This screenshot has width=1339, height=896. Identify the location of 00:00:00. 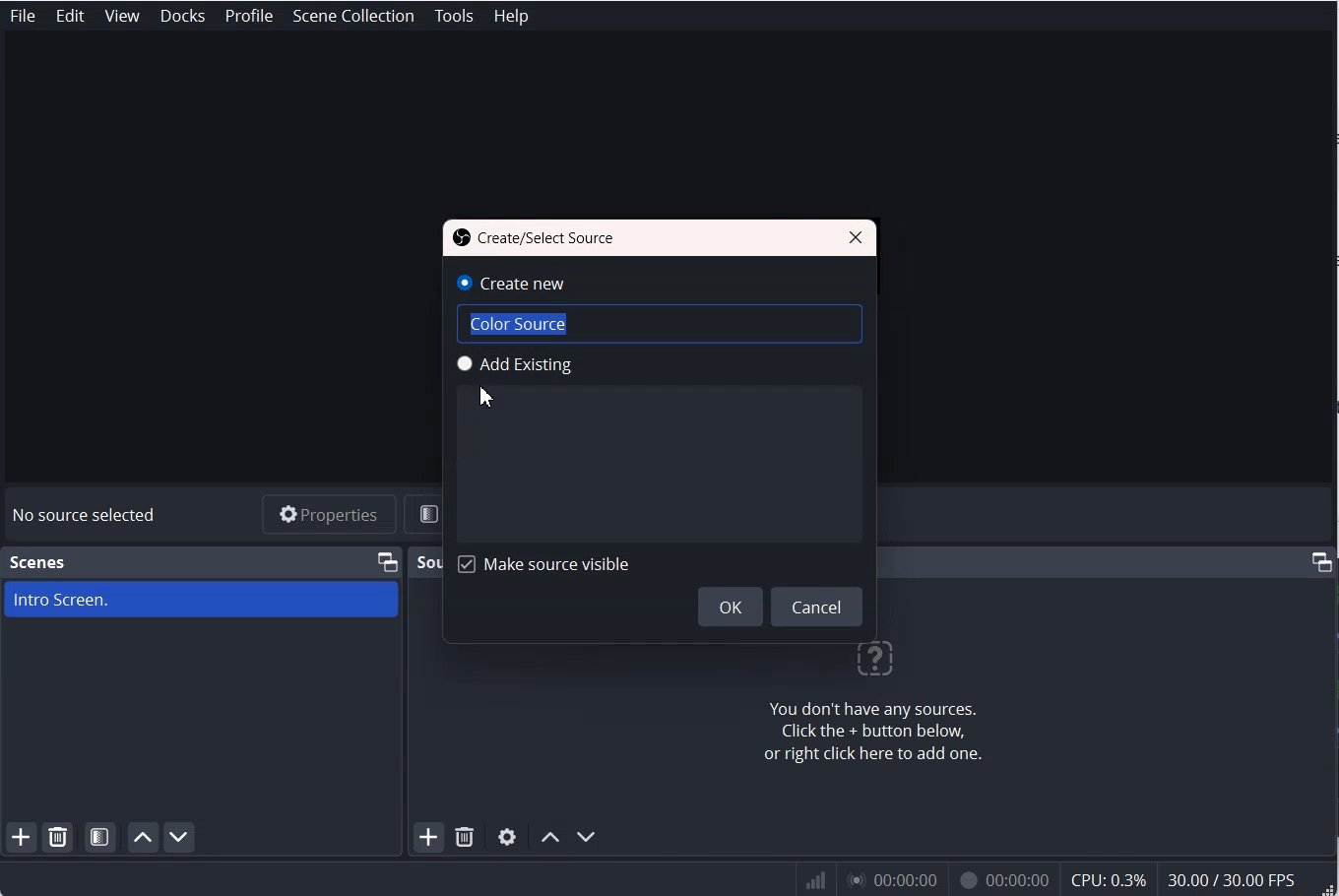
(1000, 882).